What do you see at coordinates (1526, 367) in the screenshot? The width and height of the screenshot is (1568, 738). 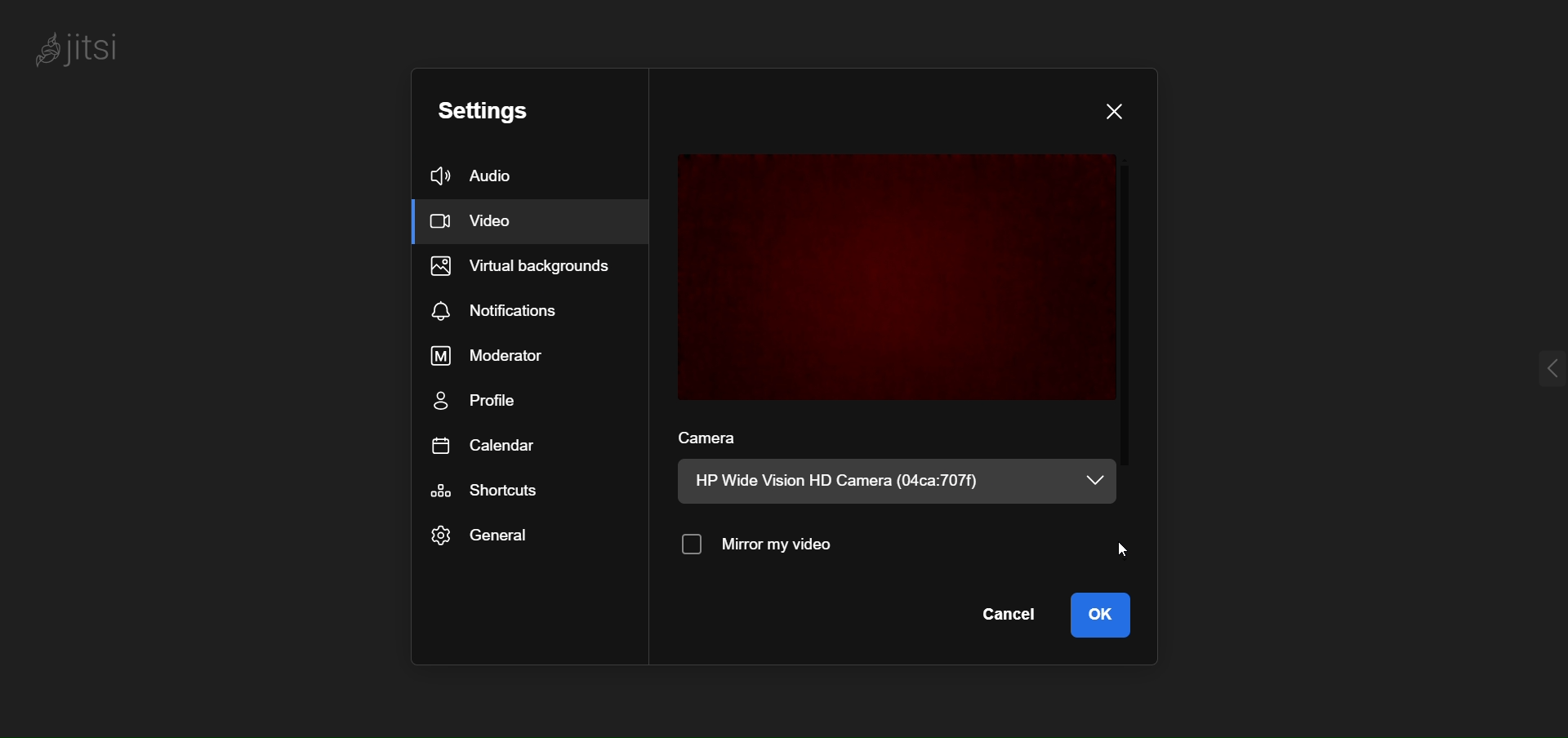 I see `expand` at bounding box center [1526, 367].